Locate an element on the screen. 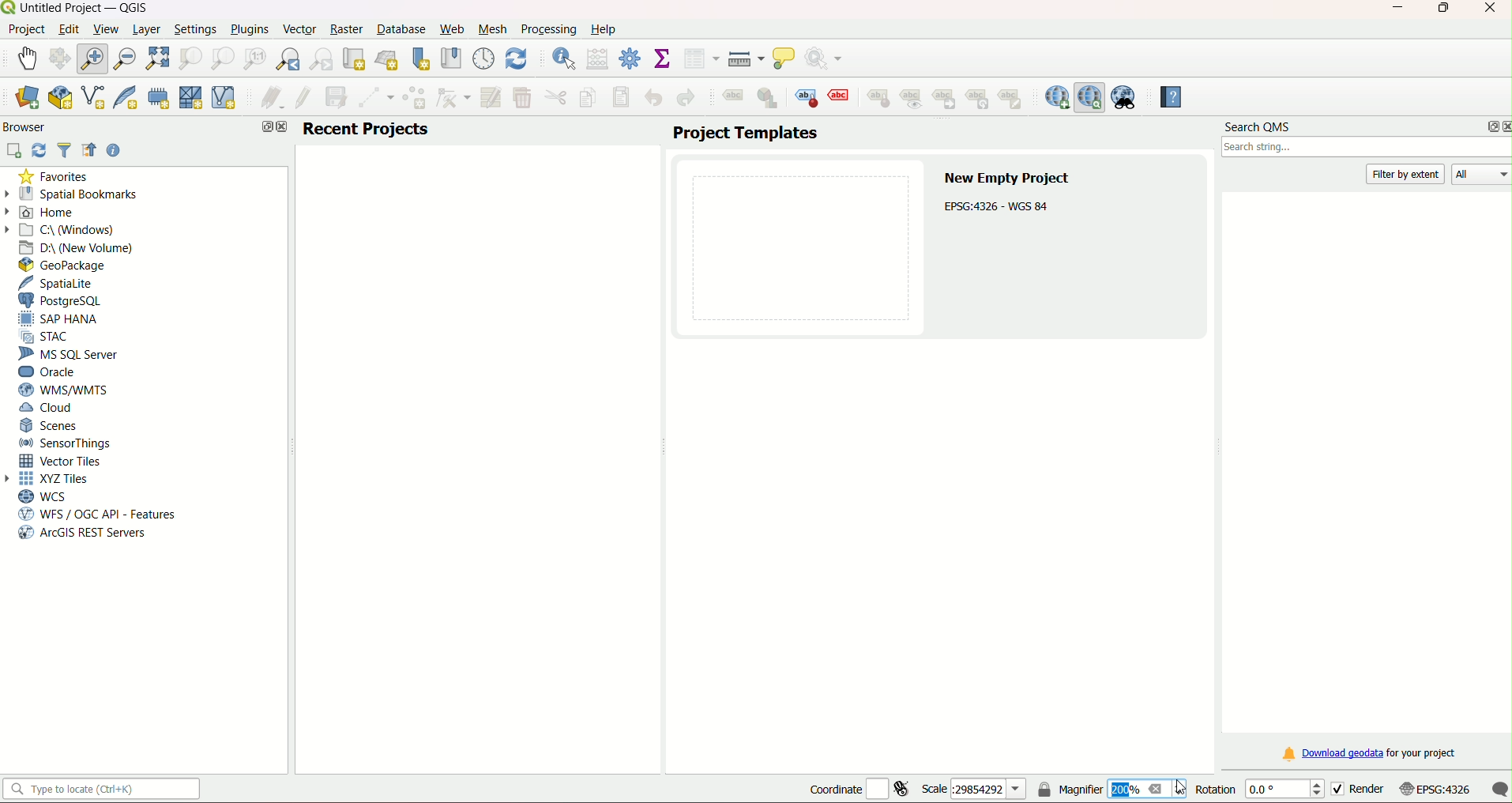 The image size is (1512, 803). zoom full is located at coordinates (158, 58).